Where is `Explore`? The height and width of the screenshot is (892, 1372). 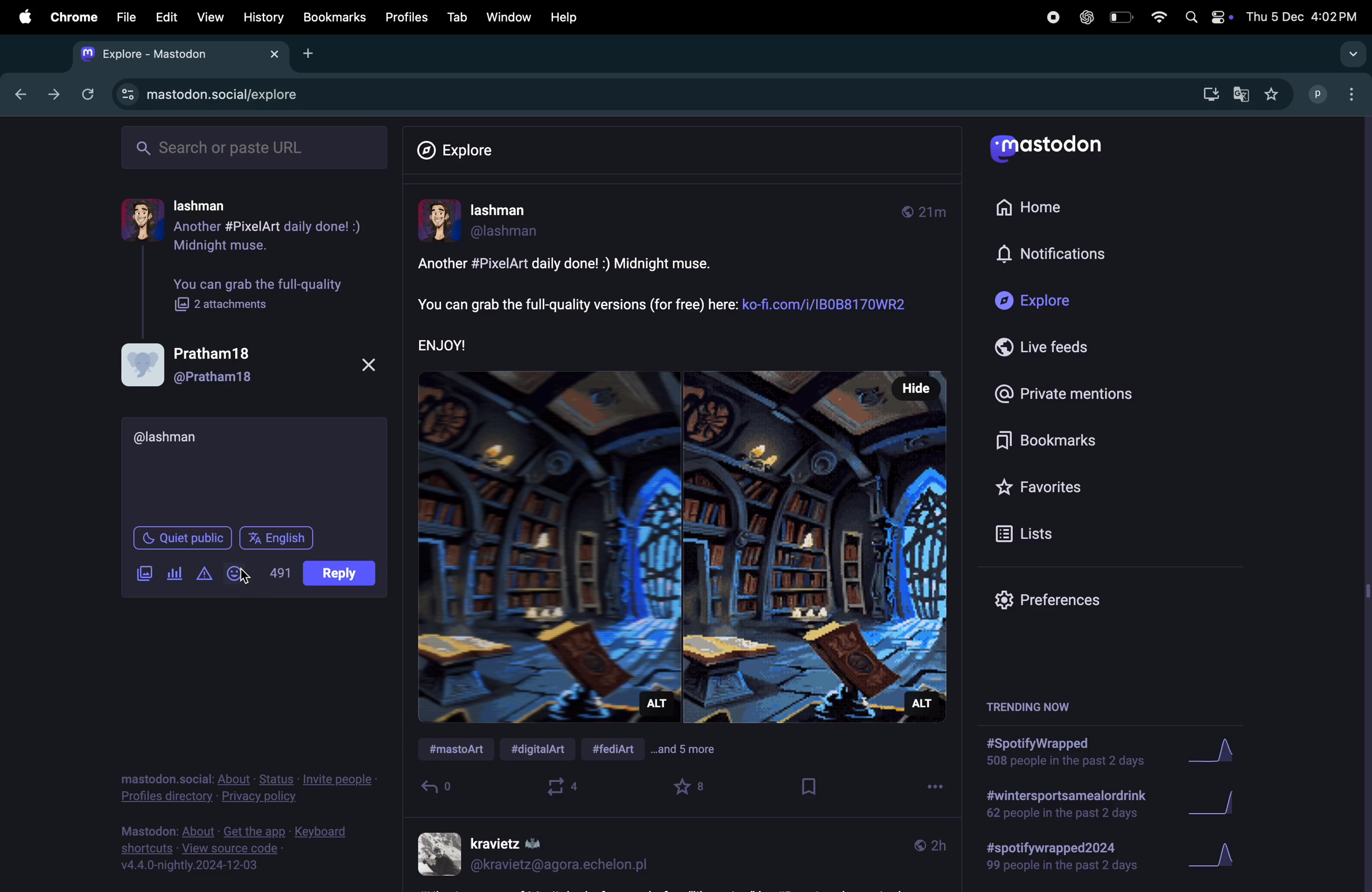
Explore is located at coordinates (455, 146).